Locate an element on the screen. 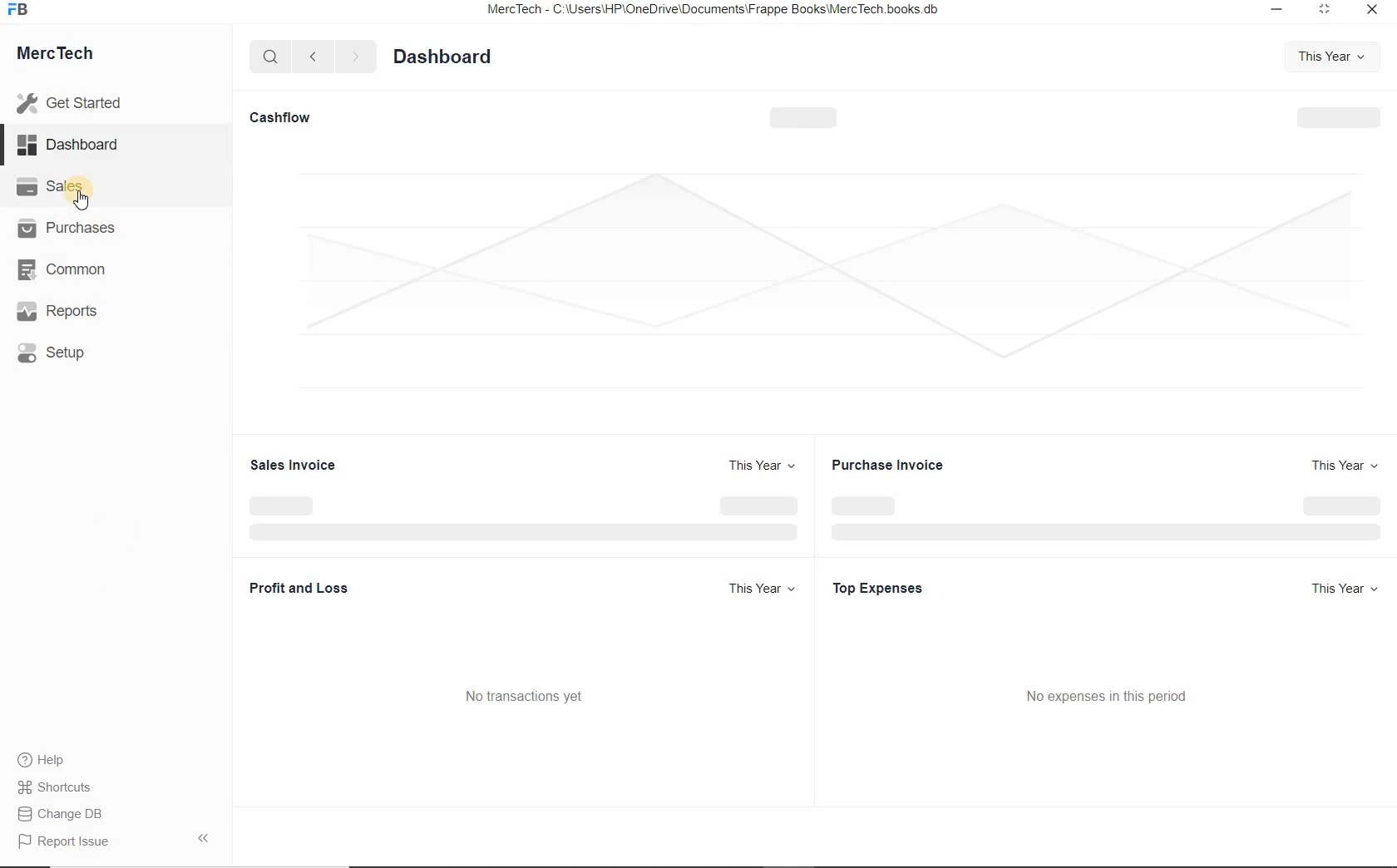  This Year is located at coordinates (763, 467).